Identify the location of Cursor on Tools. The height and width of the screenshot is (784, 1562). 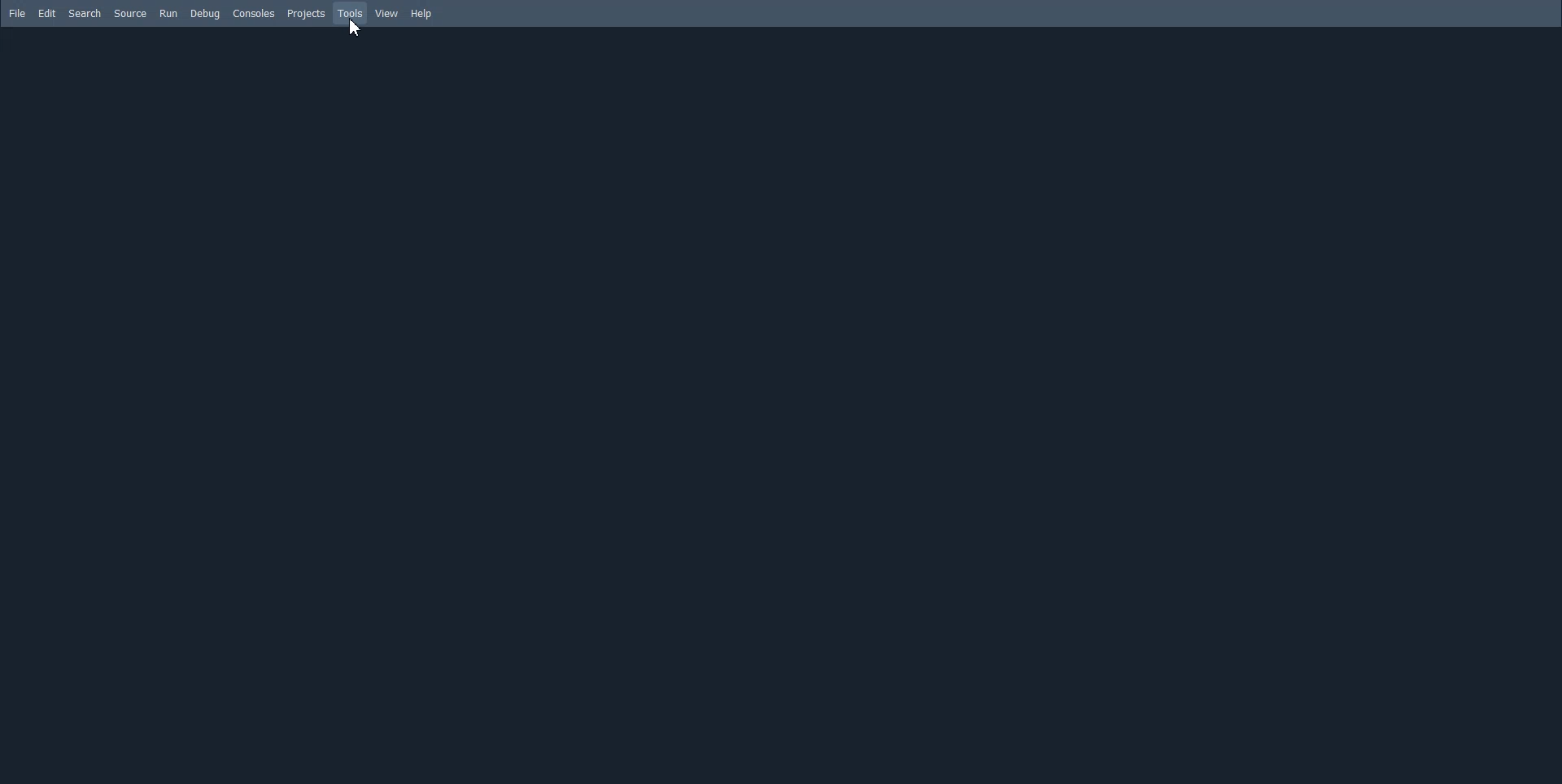
(354, 27).